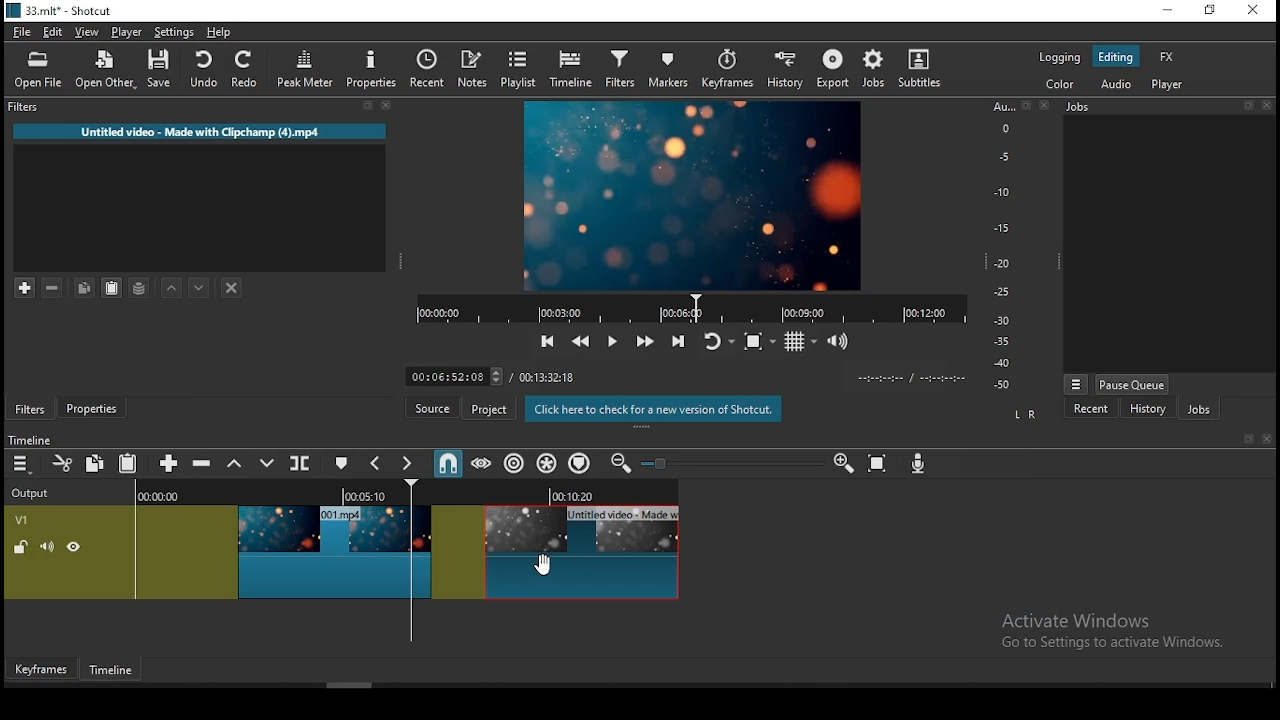 The image size is (1280, 720). What do you see at coordinates (451, 464) in the screenshot?
I see `snap` at bounding box center [451, 464].